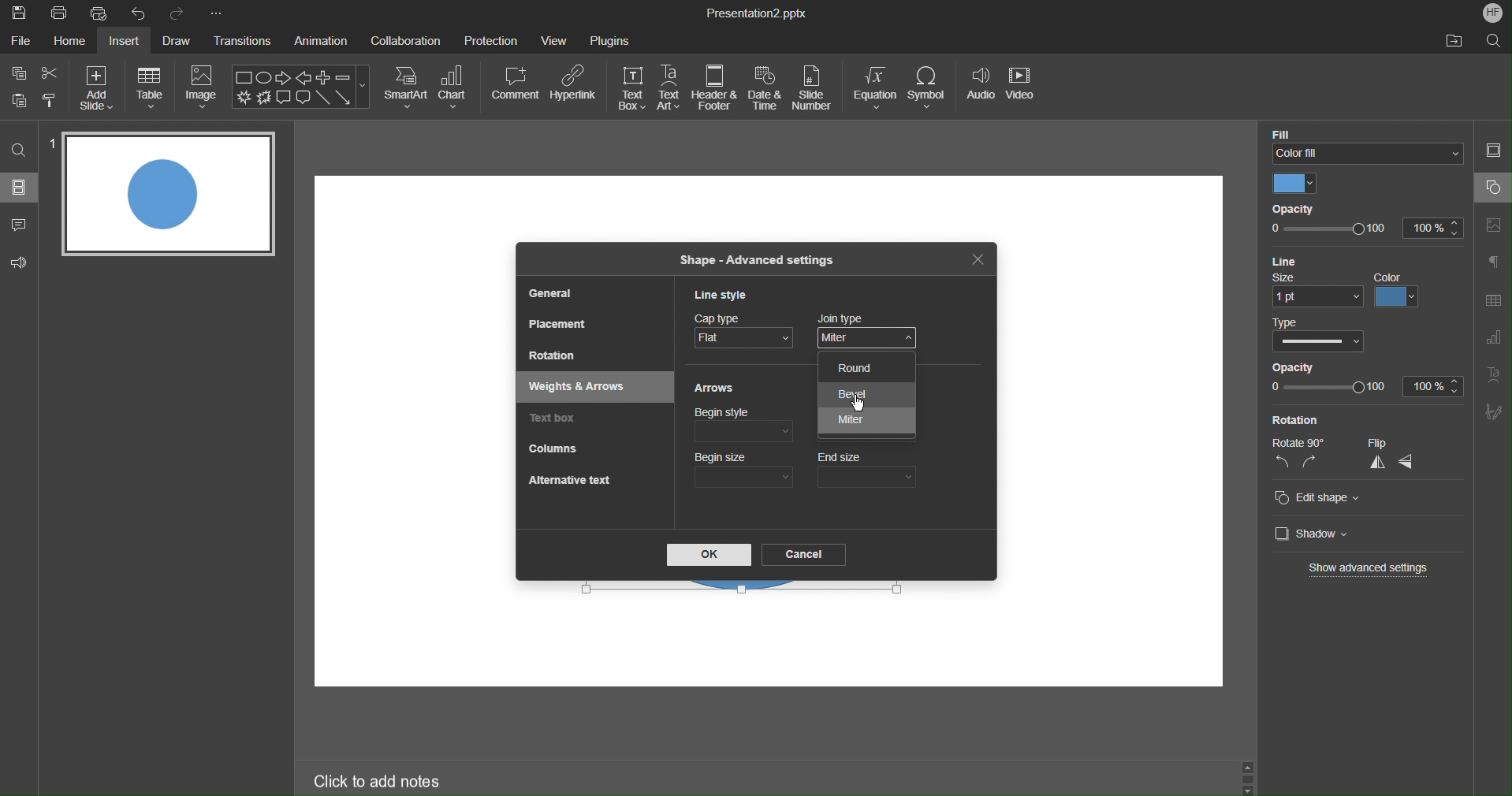  Describe the element at coordinates (128, 42) in the screenshot. I see `Insert` at that location.